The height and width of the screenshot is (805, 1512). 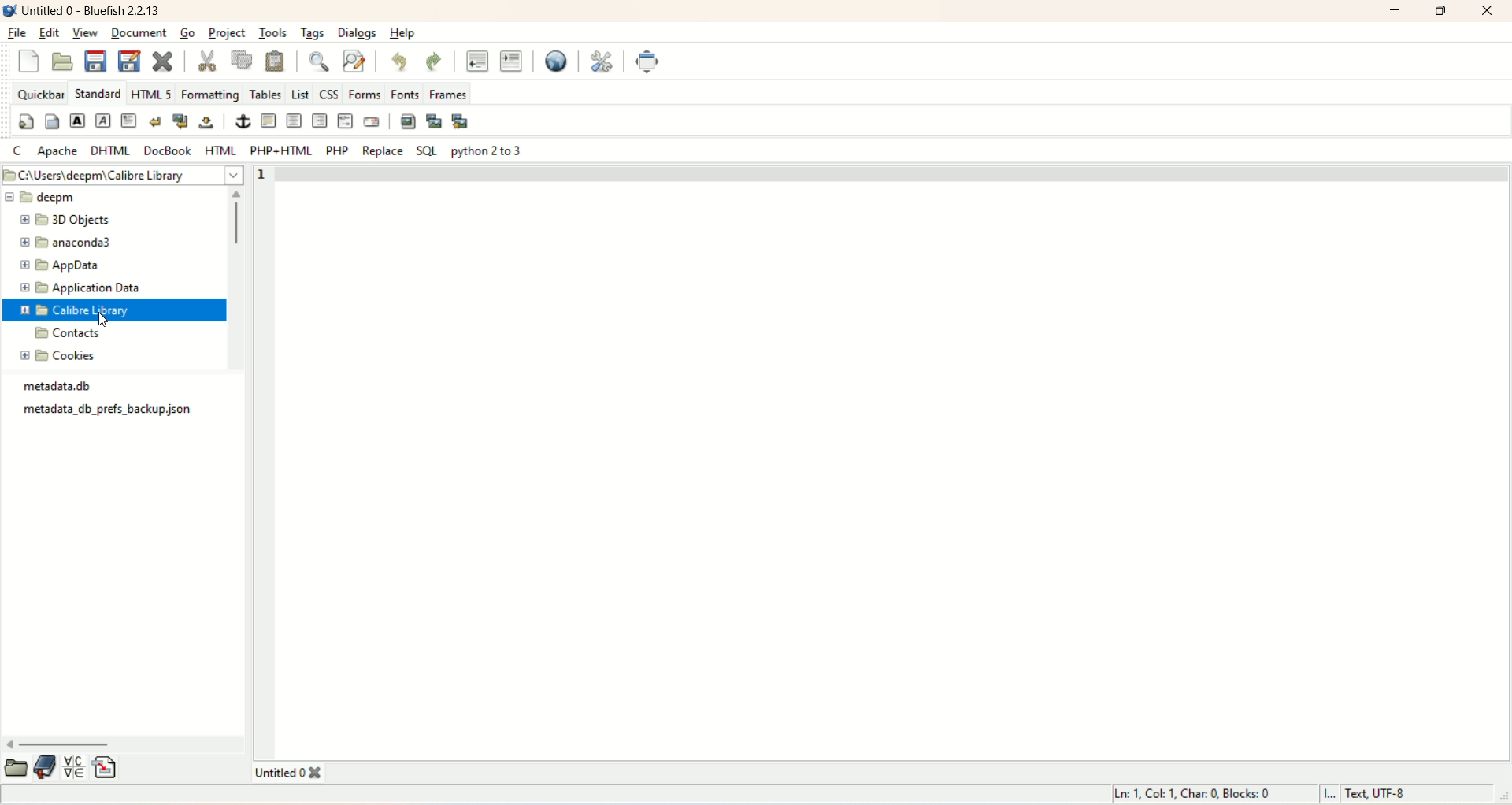 I want to click on Fullscreen, so click(x=645, y=61).